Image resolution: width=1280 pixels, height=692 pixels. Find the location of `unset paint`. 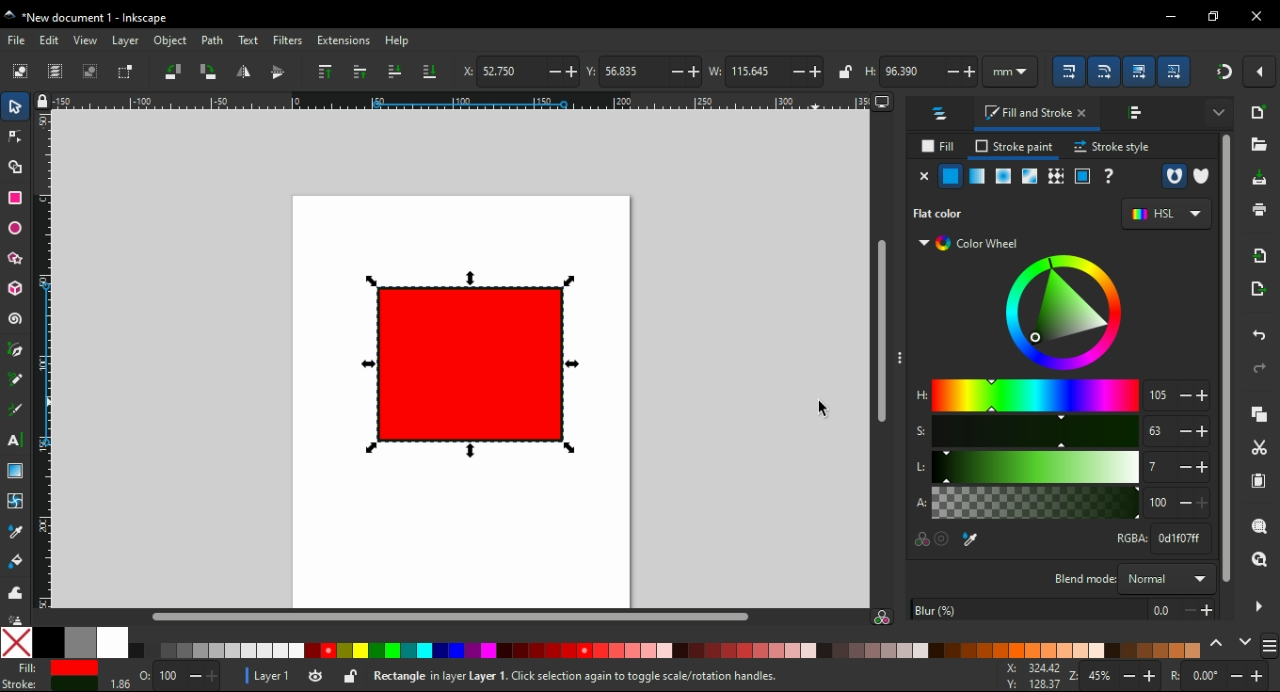

unset paint is located at coordinates (1109, 176).